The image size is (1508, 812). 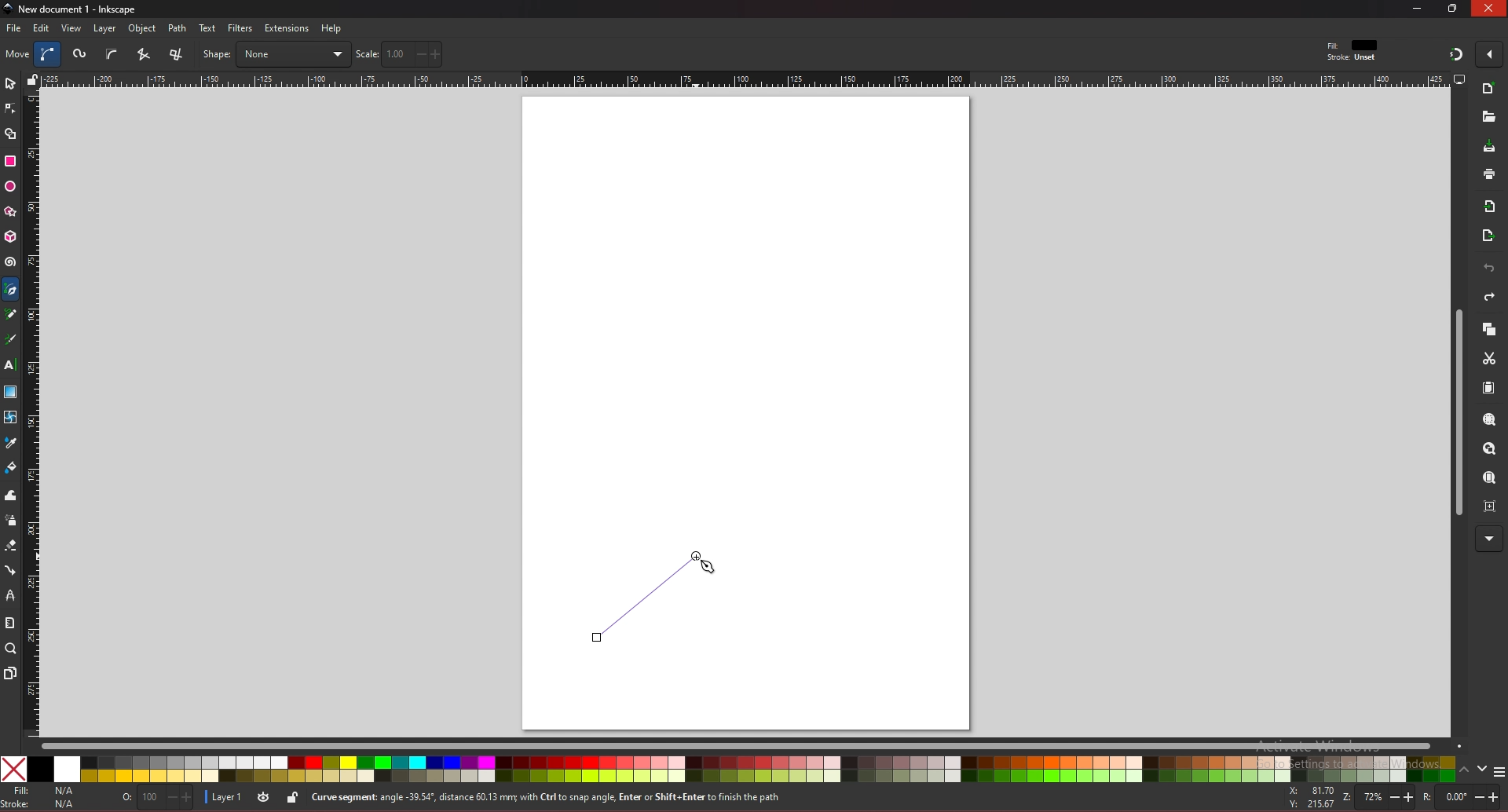 I want to click on fit, so click(x=1354, y=46).